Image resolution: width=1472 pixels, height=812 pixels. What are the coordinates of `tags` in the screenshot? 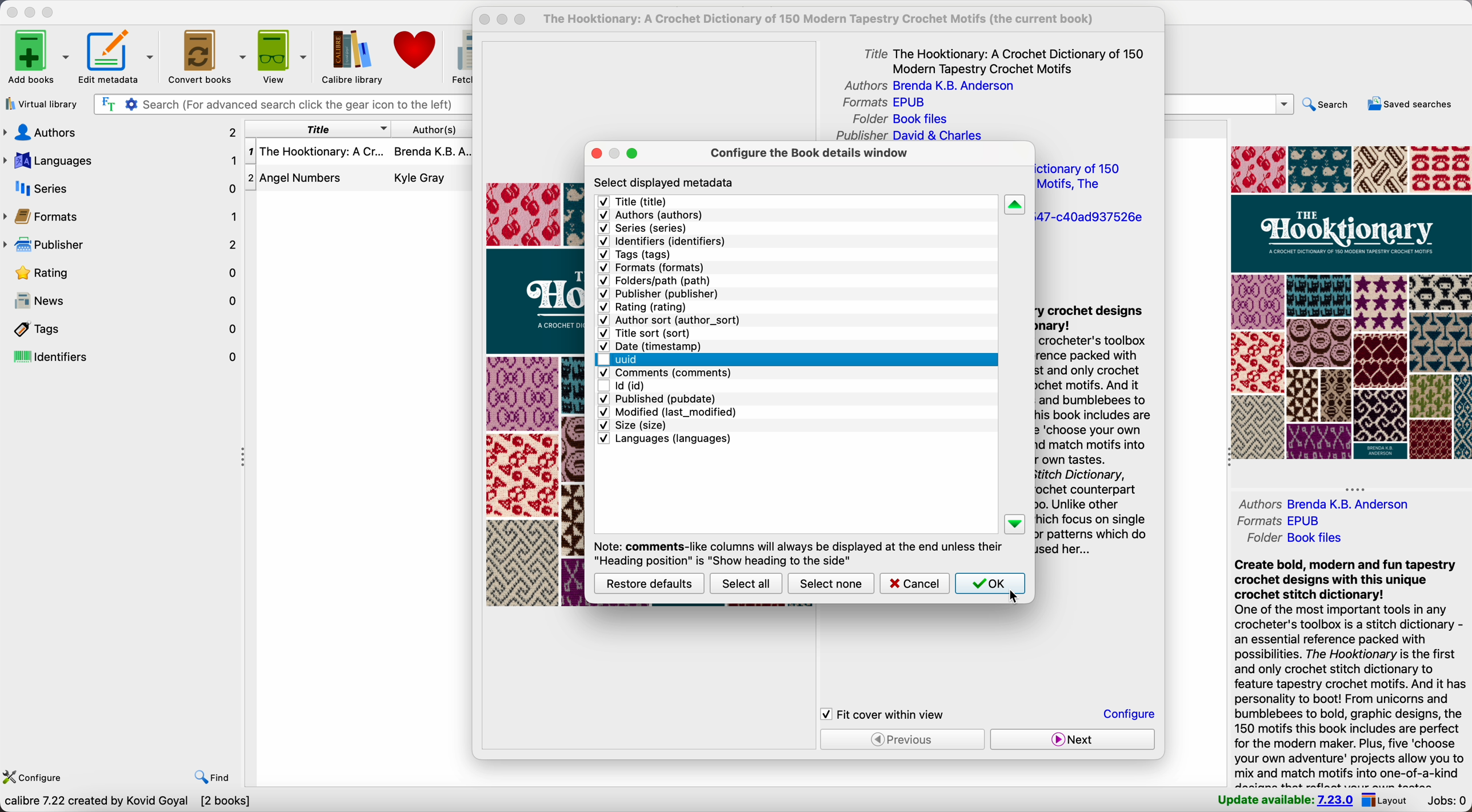 It's located at (122, 329).